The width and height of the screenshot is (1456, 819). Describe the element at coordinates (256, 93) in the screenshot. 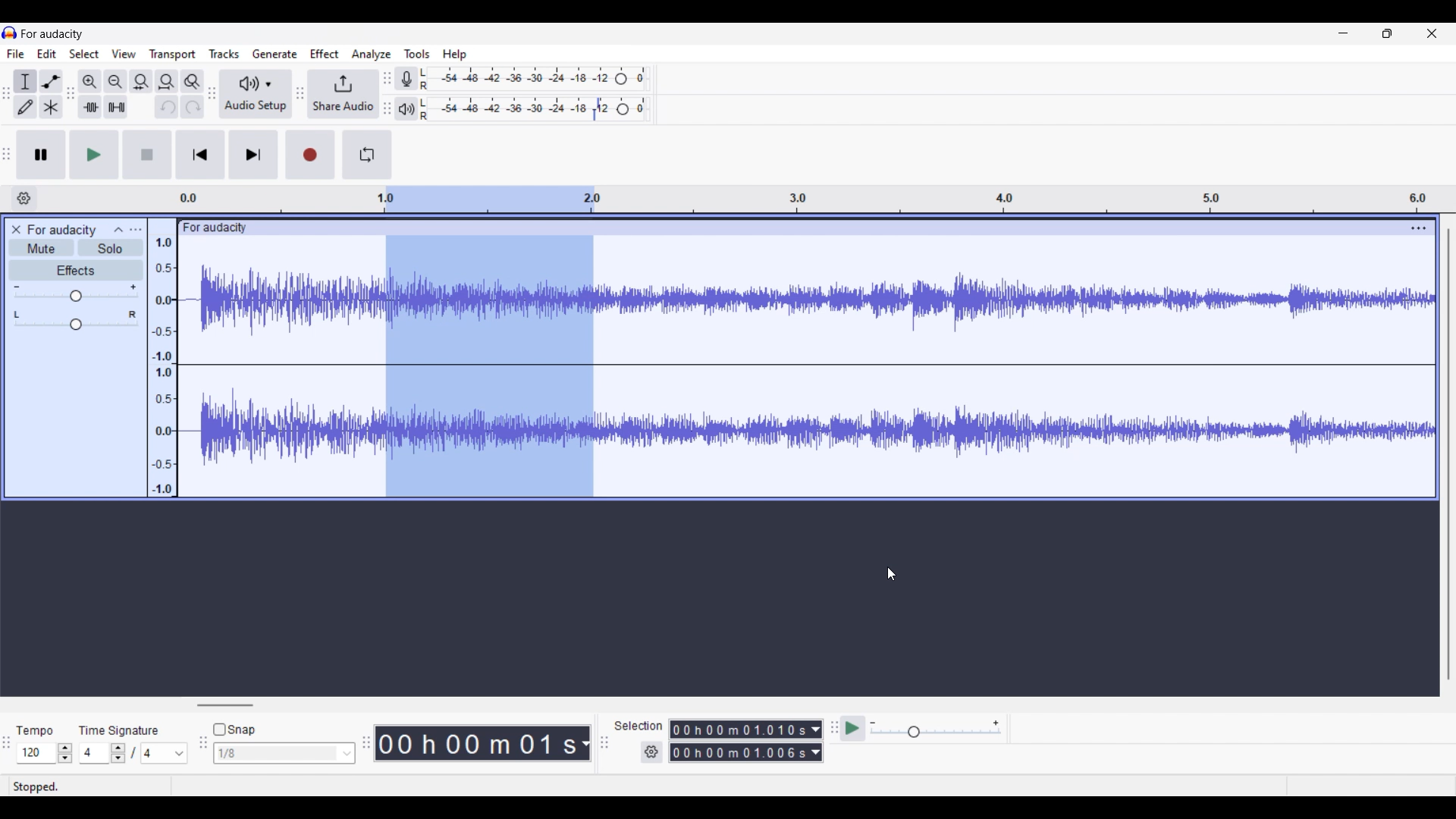

I see `Audio setup` at that location.